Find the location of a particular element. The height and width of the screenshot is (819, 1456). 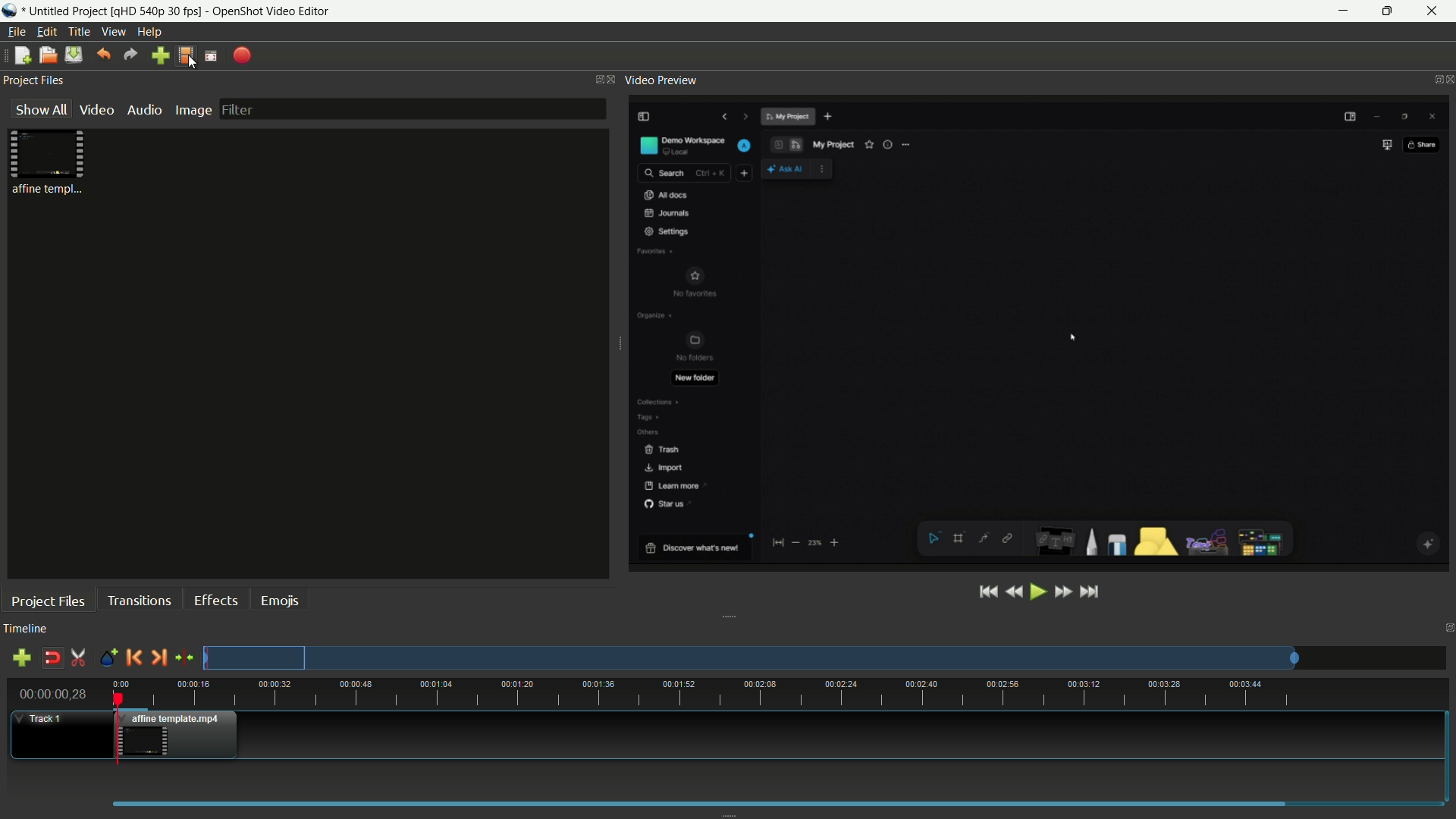

full screen is located at coordinates (211, 55).